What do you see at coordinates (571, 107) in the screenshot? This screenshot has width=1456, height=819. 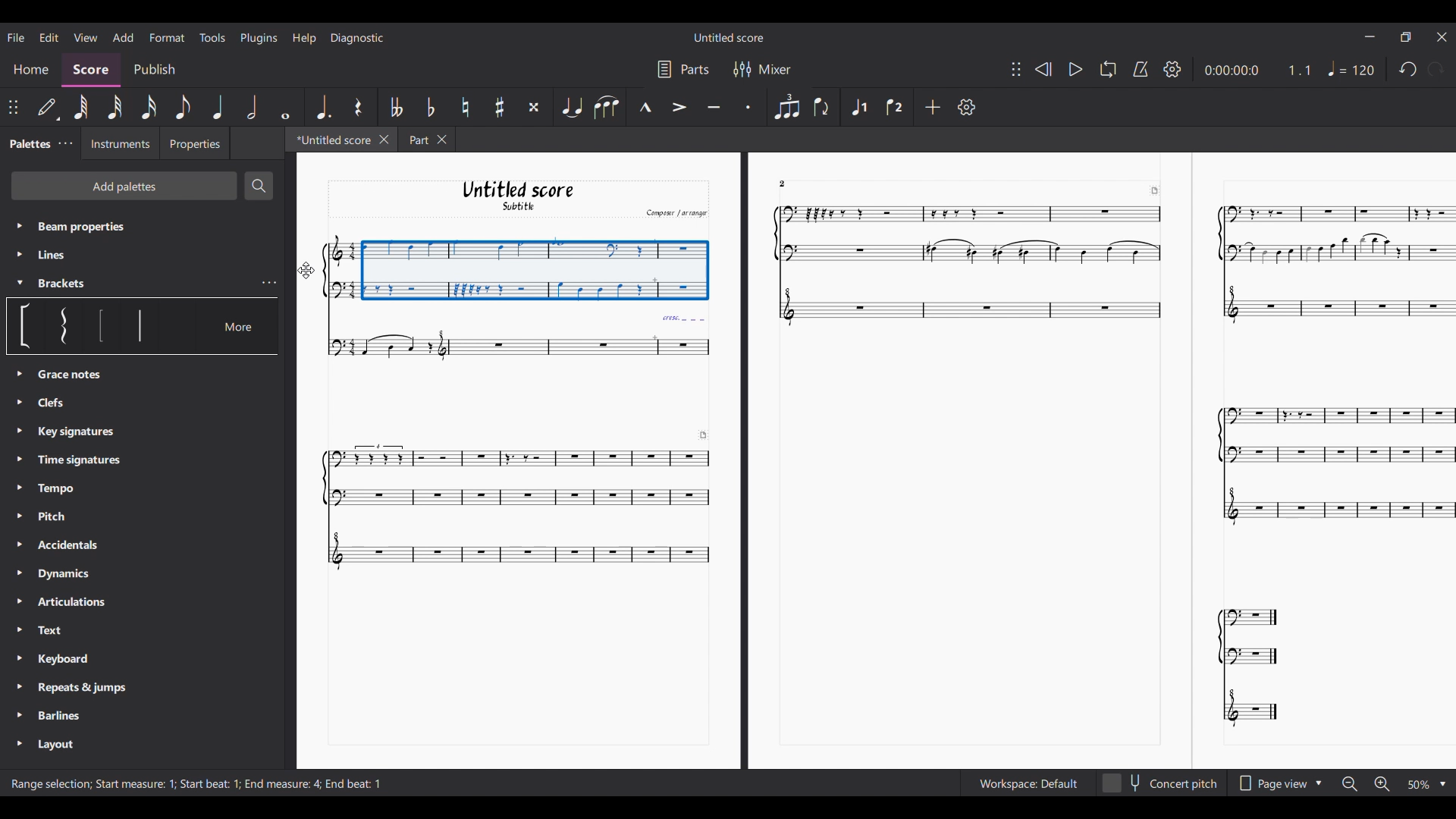 I see `Tie` at bounding box center [571, 107].